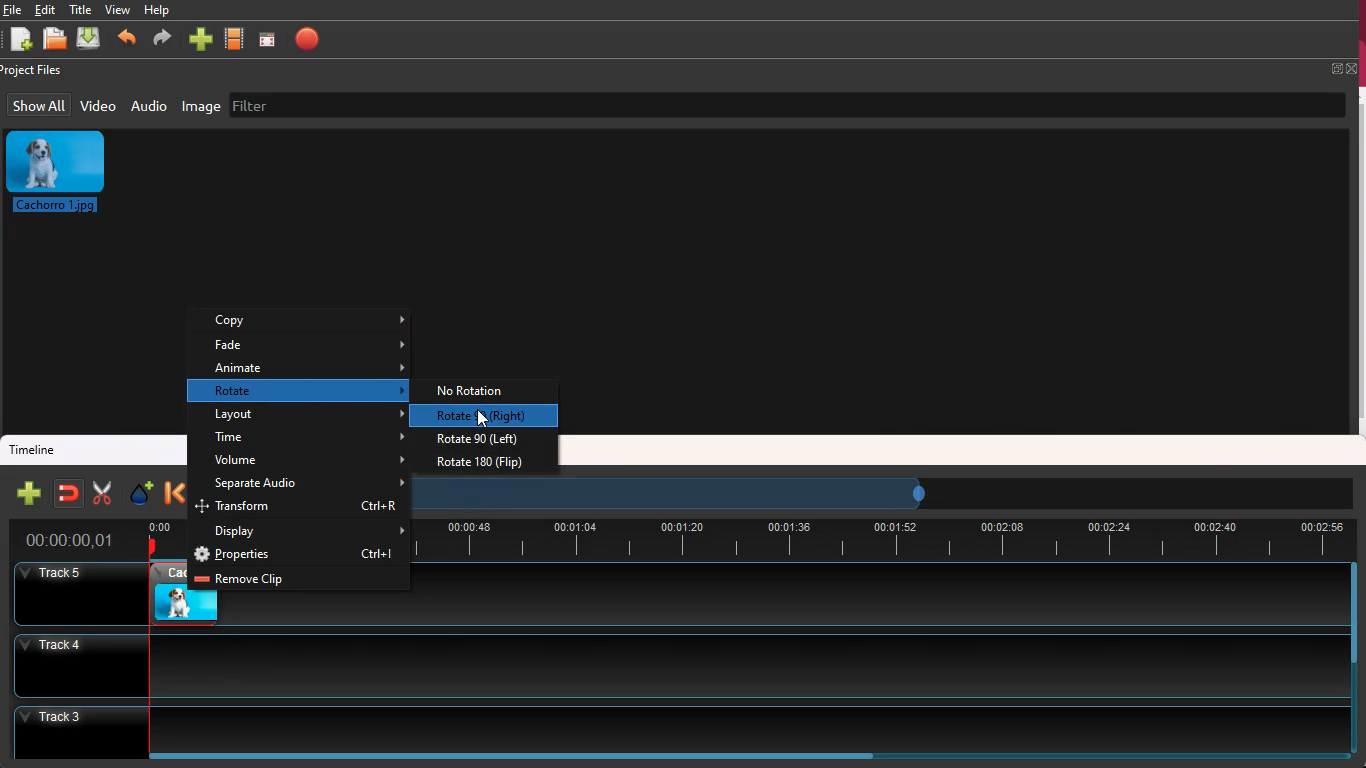 This screenshot has height=768, width=1366. I want to click on help, so click(160, 10).